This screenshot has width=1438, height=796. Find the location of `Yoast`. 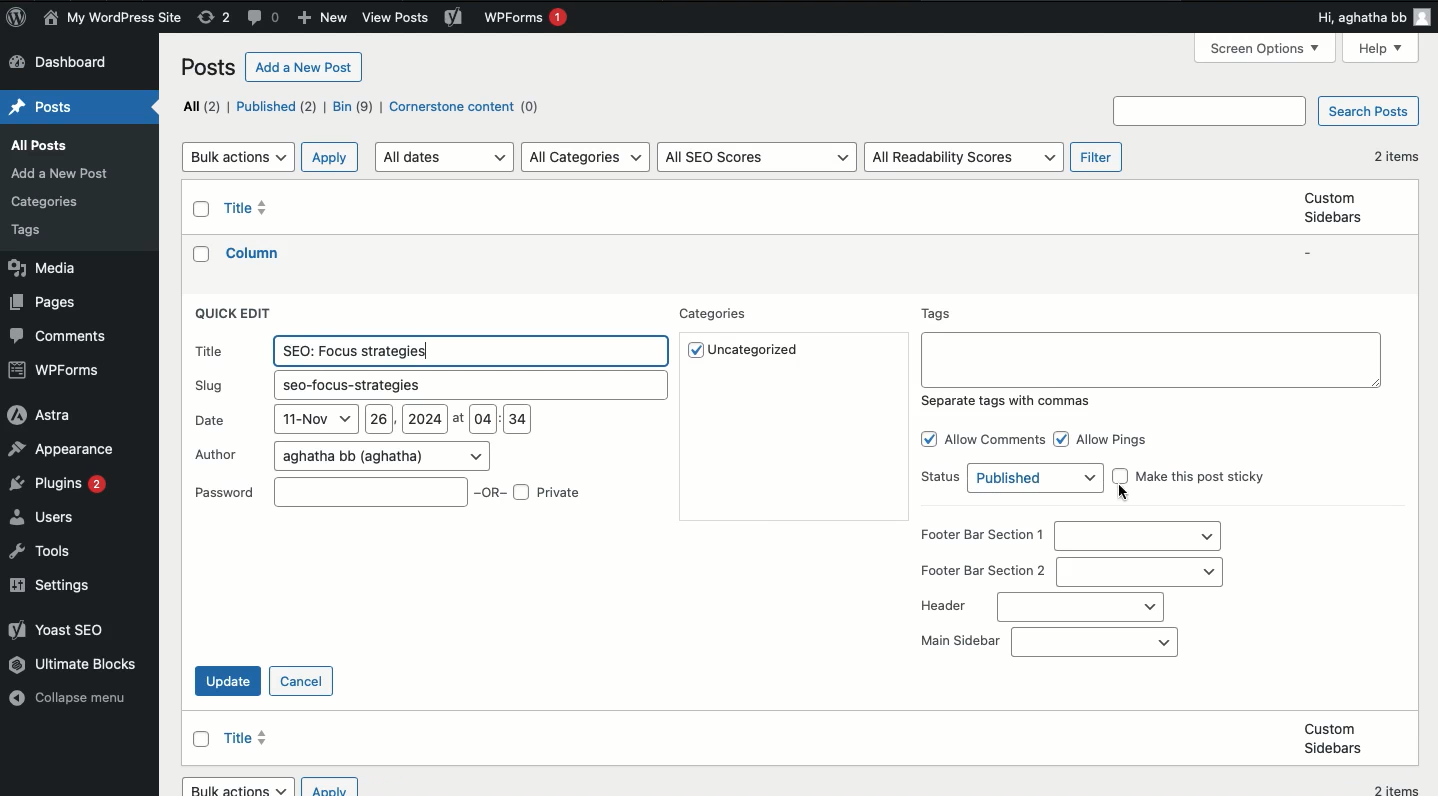

Yoast is located at coordinates (453, 16).